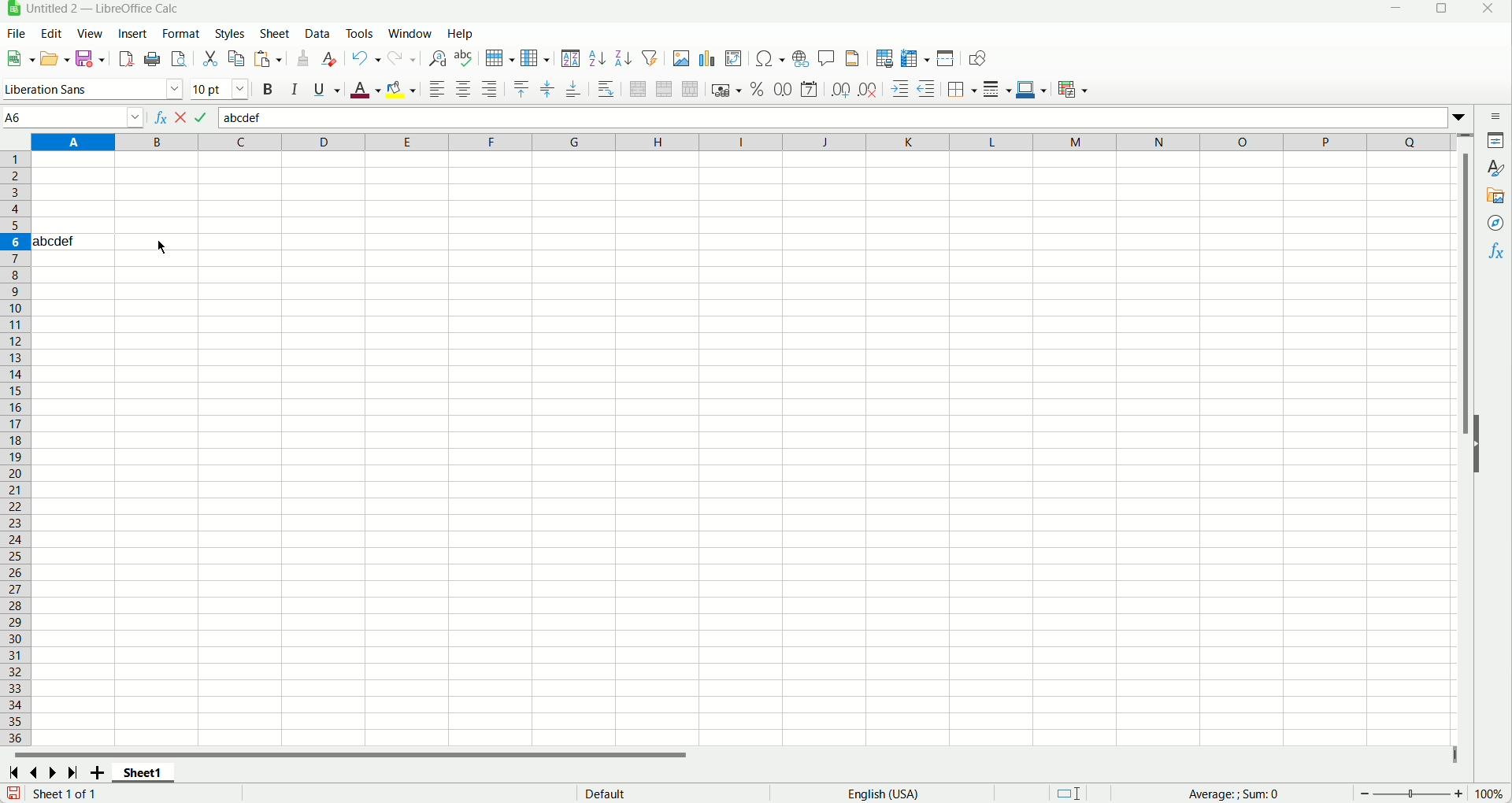 This screenshot has height=803, width=1512. What do you see at coordinates (328, 91) in the screenshot?
I see `underline` at bounding box center [328, 91].